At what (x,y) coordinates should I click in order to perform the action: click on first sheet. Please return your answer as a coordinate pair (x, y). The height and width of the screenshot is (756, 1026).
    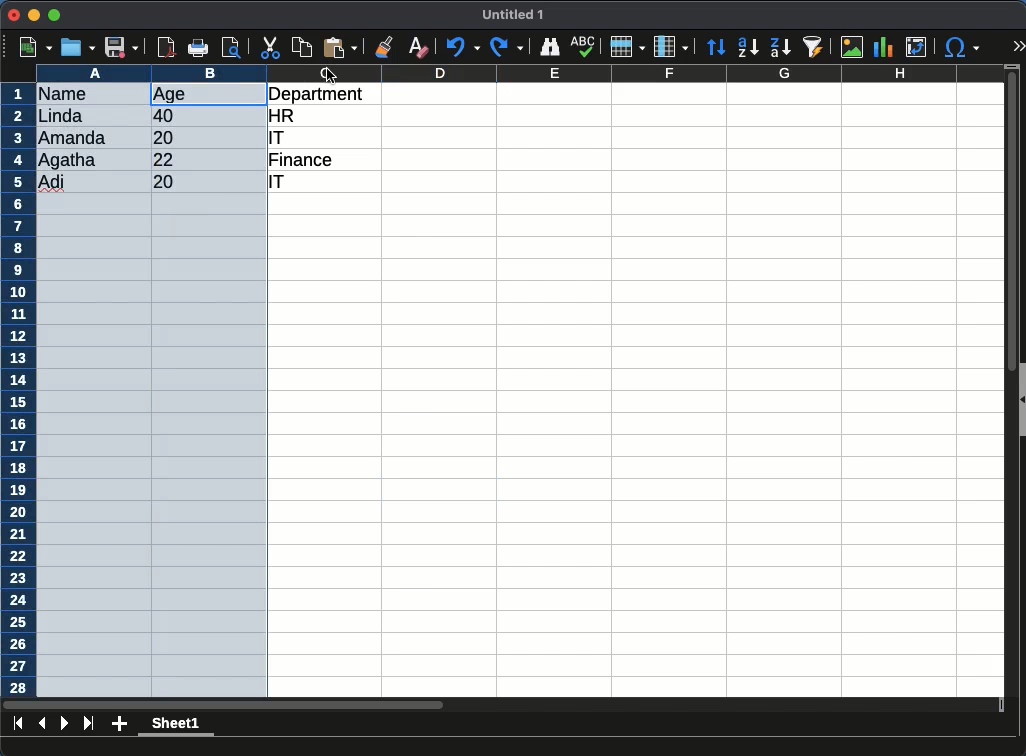
    Looking at the image, I should click on (18, 723).